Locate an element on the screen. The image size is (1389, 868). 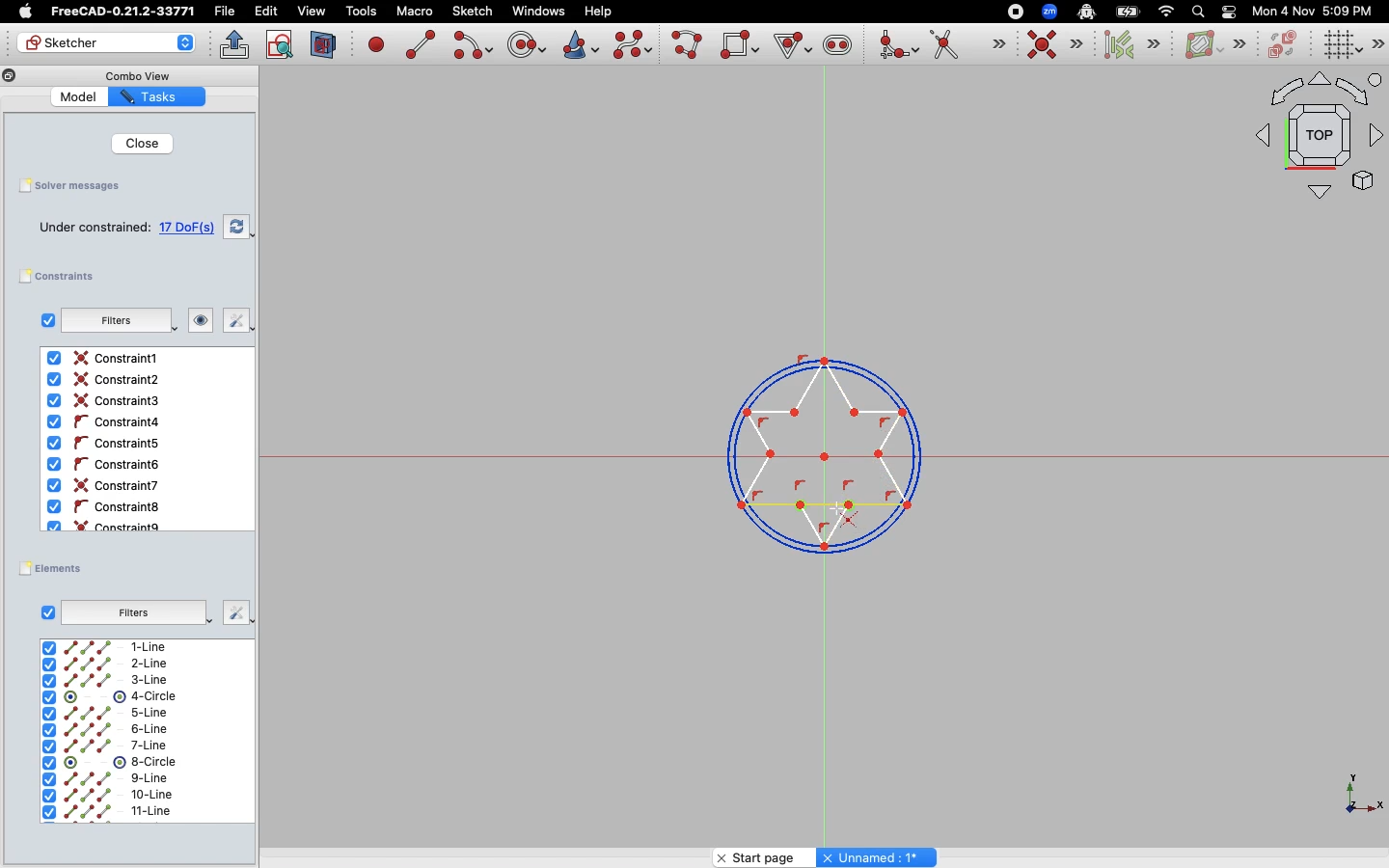
Create b-spline is located at coordinates (633, 44).